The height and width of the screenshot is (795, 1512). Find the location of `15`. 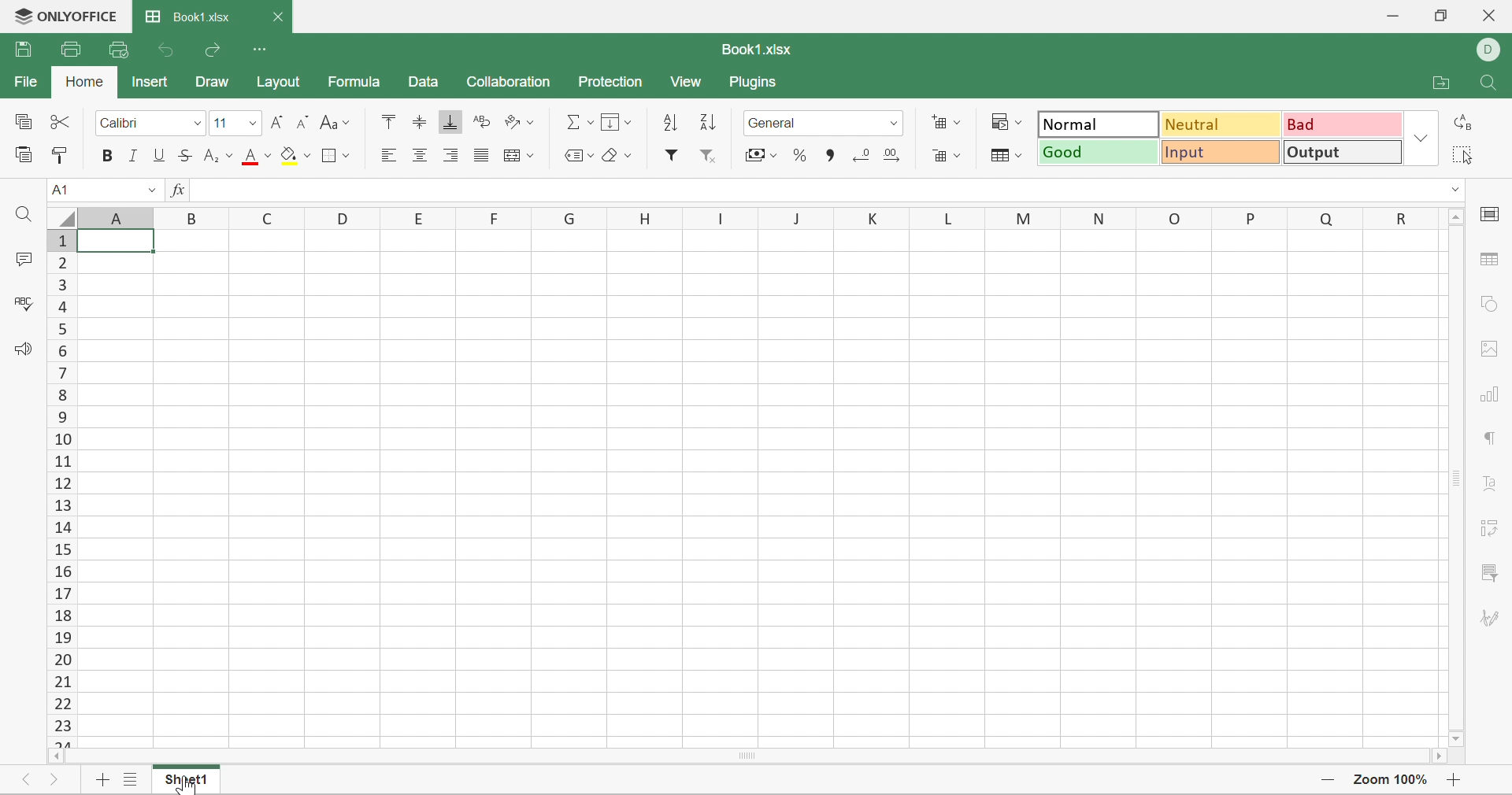

15 is located at coordinates (65, 551).